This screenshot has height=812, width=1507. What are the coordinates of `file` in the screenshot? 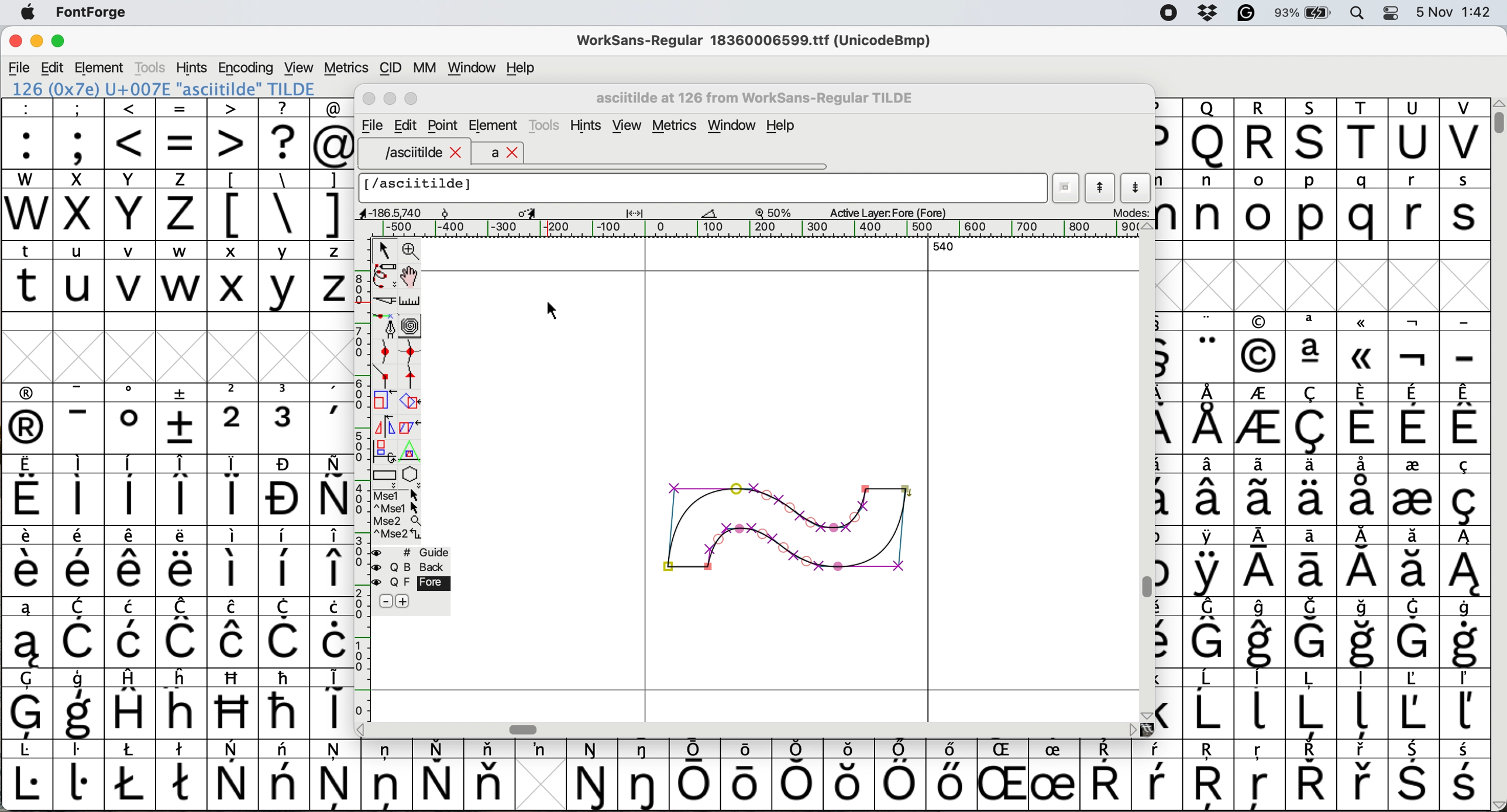 It's located at (370, 126).